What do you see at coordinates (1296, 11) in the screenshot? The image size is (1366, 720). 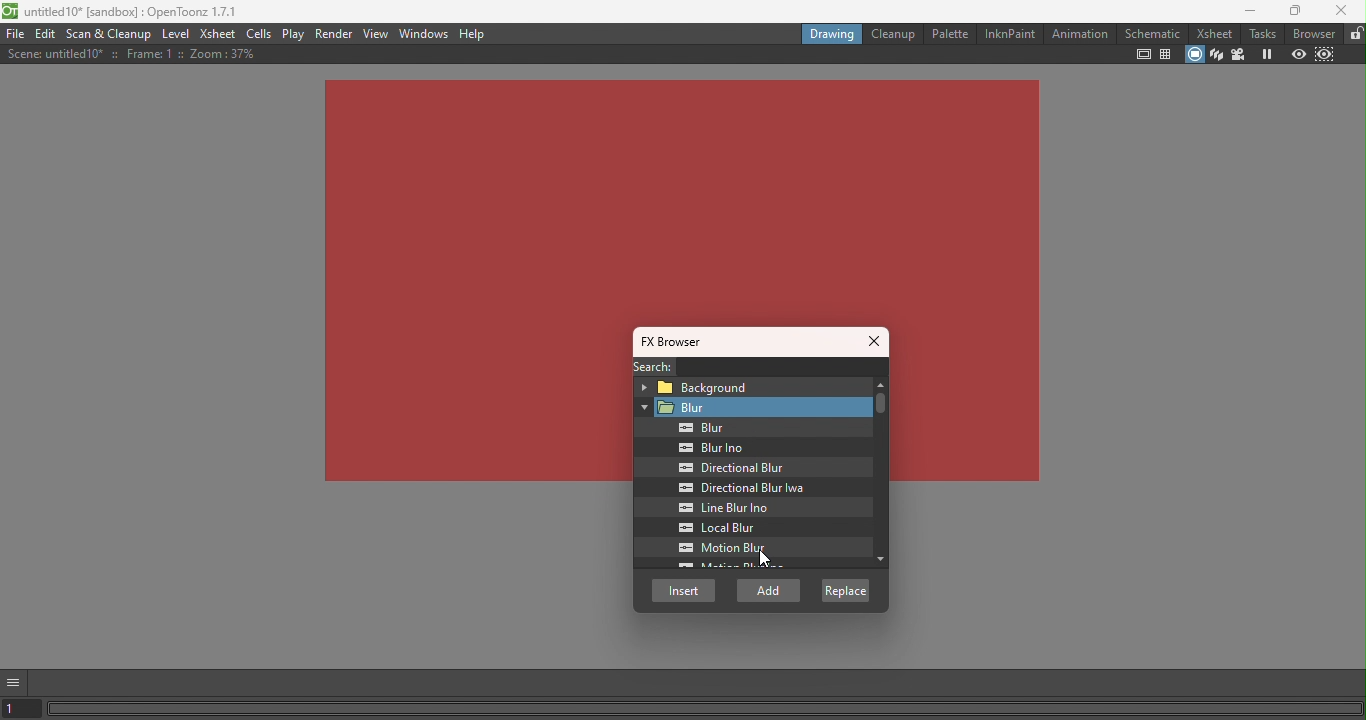 I see `Maximize` at bounding box center [1296, 11].